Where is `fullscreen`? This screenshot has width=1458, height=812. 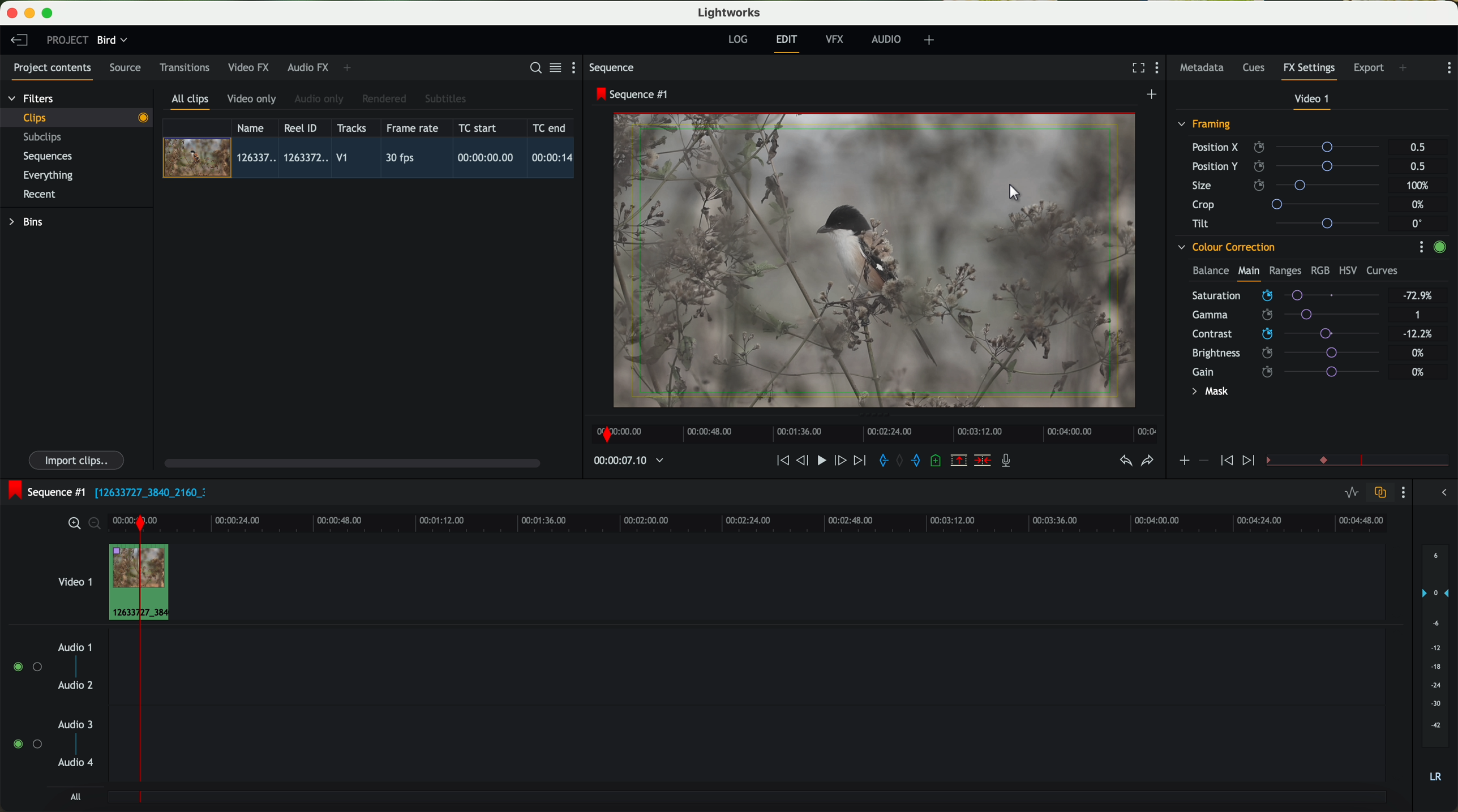
fullscreen is located at coordinates (1136, 67).